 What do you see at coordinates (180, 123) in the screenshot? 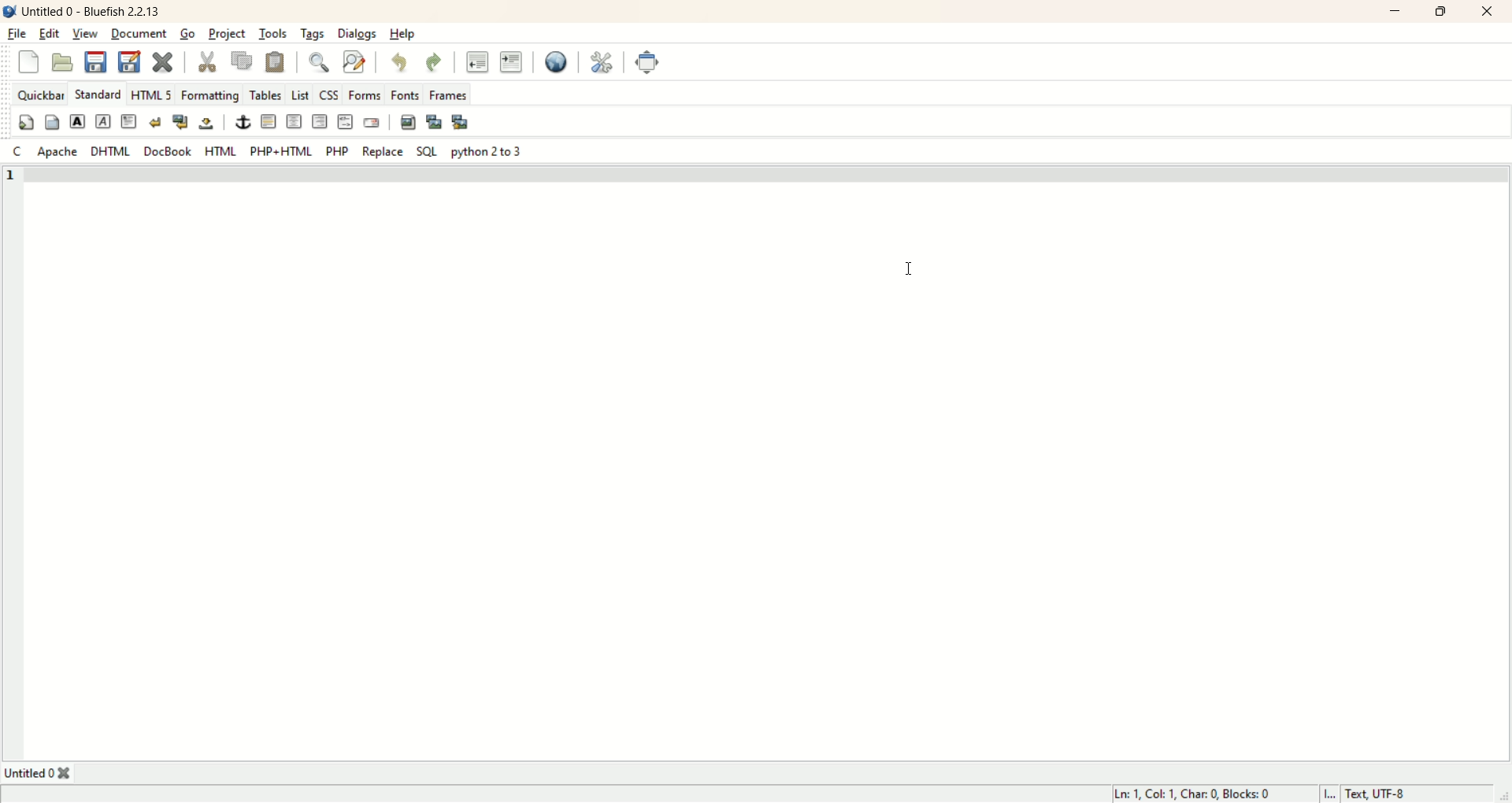
I see `break and clear` at bounding box center [180, 123].